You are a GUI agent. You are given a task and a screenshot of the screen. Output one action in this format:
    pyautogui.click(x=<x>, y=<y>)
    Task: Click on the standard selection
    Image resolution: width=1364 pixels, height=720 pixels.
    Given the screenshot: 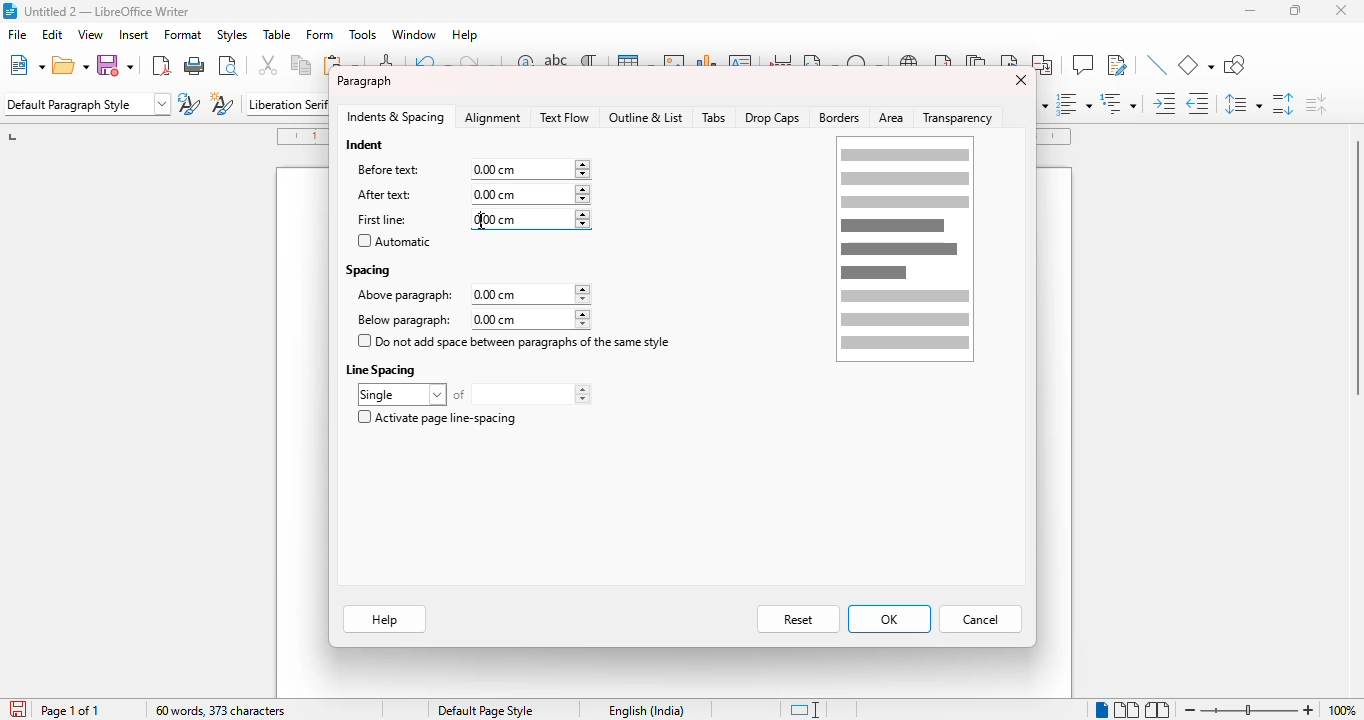 What is the action you would take?
    pyautogui.click(x=803, y=710)
    